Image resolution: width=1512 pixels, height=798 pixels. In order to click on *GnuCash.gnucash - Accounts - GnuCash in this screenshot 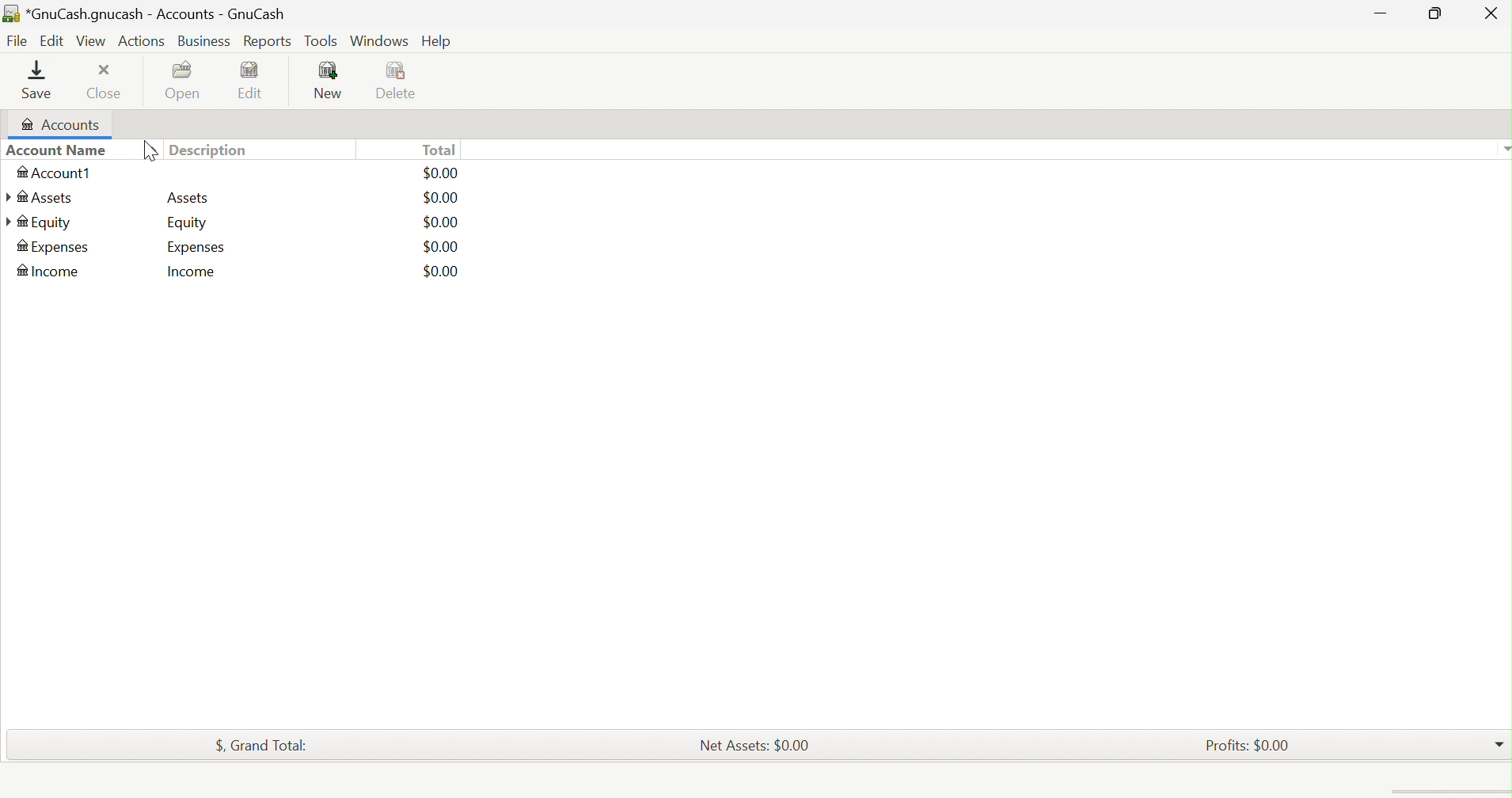, I will do `click(143, 13)`.